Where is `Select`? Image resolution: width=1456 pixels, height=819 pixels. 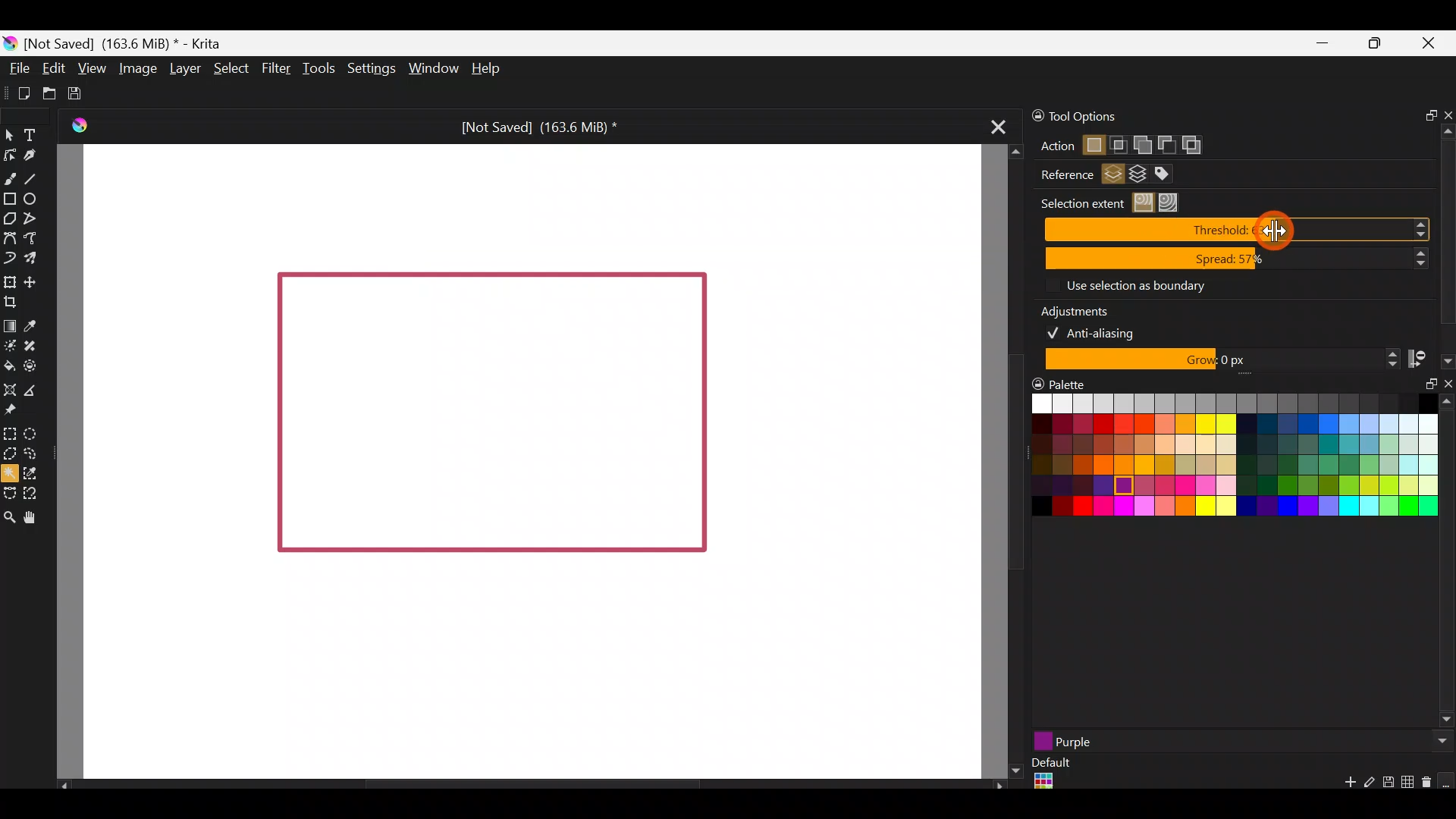
Select is located at coordinates (230, 68).